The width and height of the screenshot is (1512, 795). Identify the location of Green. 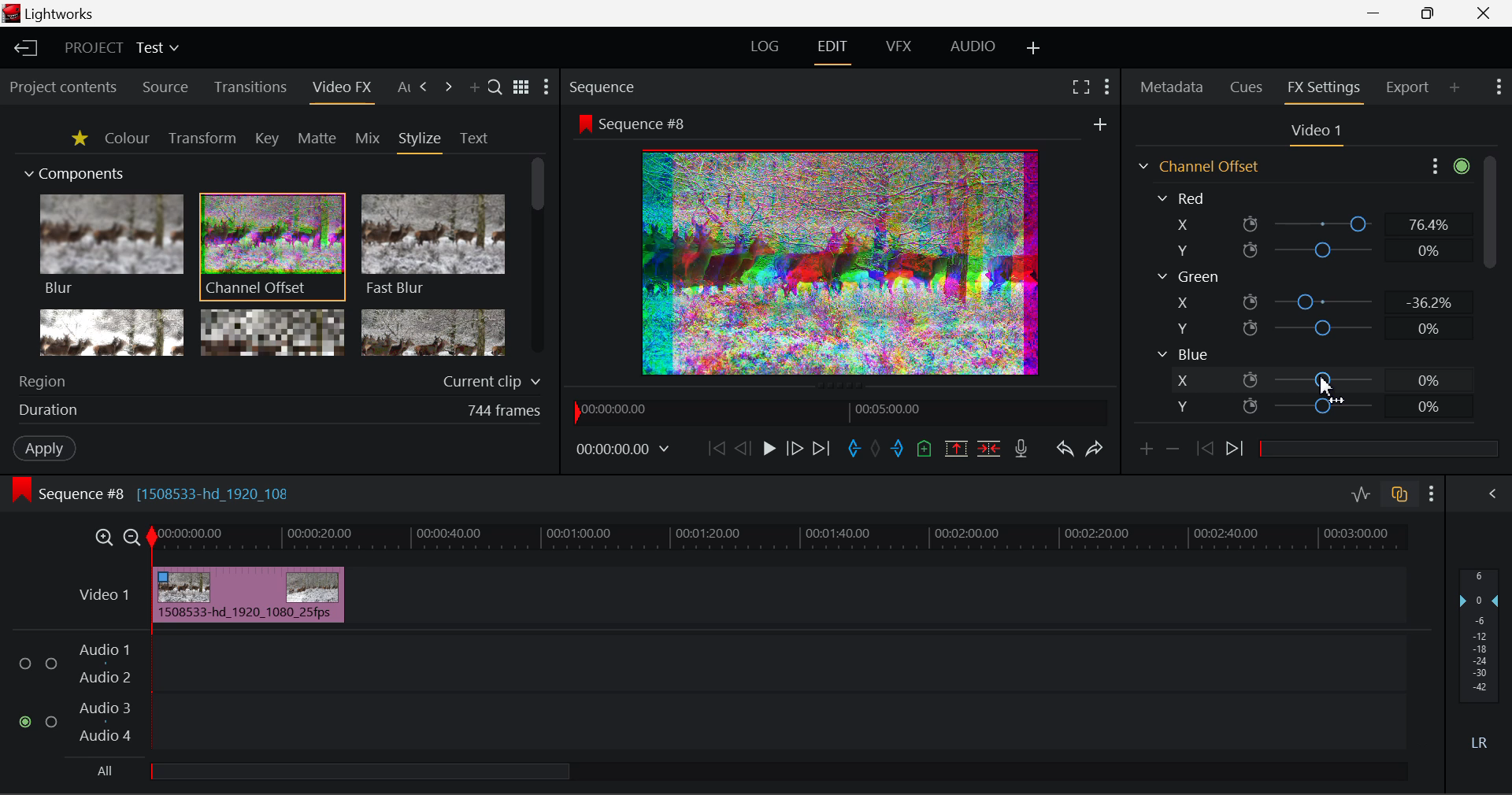
(1188, 276).